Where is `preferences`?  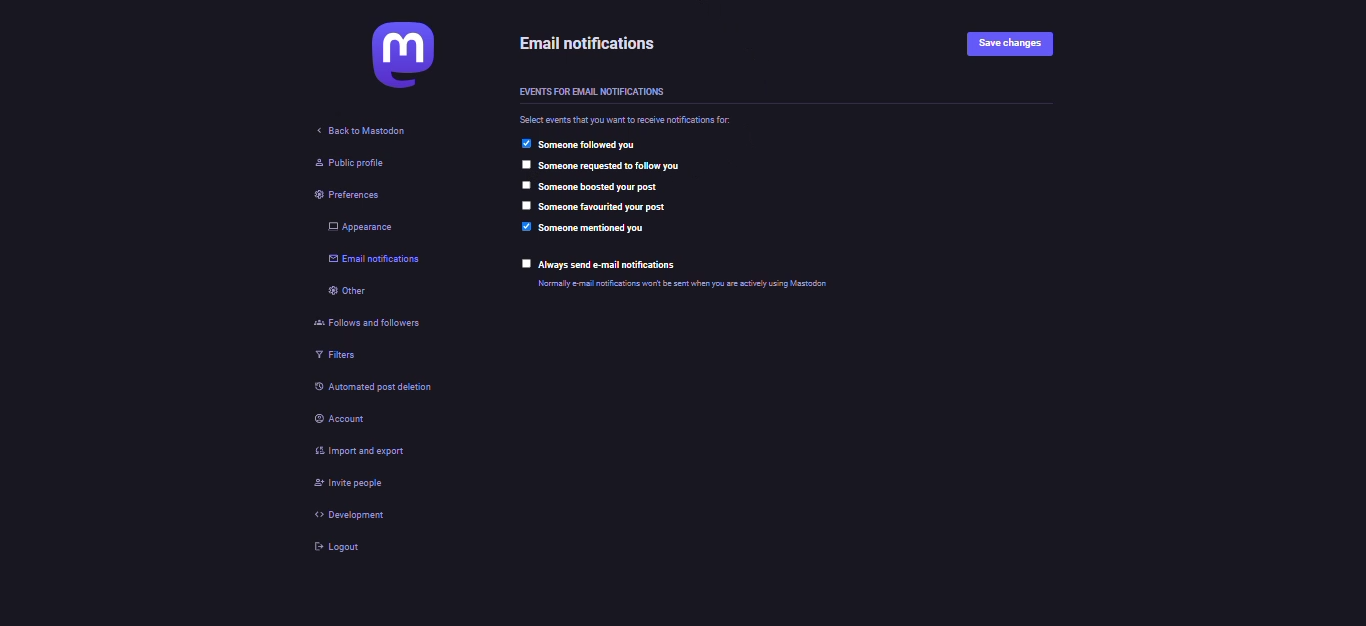 preferences is located at coordinates (332, 195).